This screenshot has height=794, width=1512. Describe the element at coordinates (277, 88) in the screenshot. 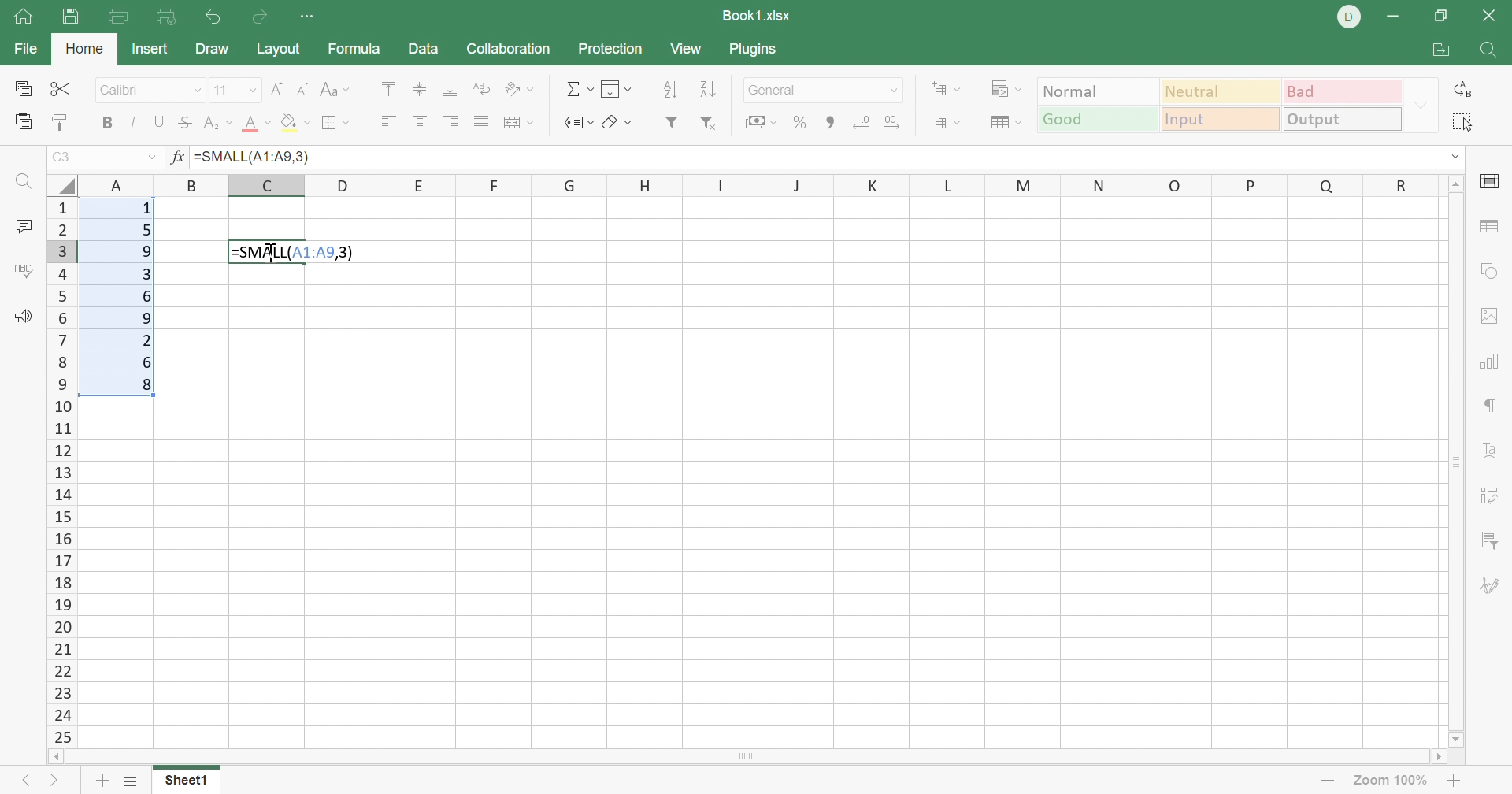

I see `Increment font size` at that location.